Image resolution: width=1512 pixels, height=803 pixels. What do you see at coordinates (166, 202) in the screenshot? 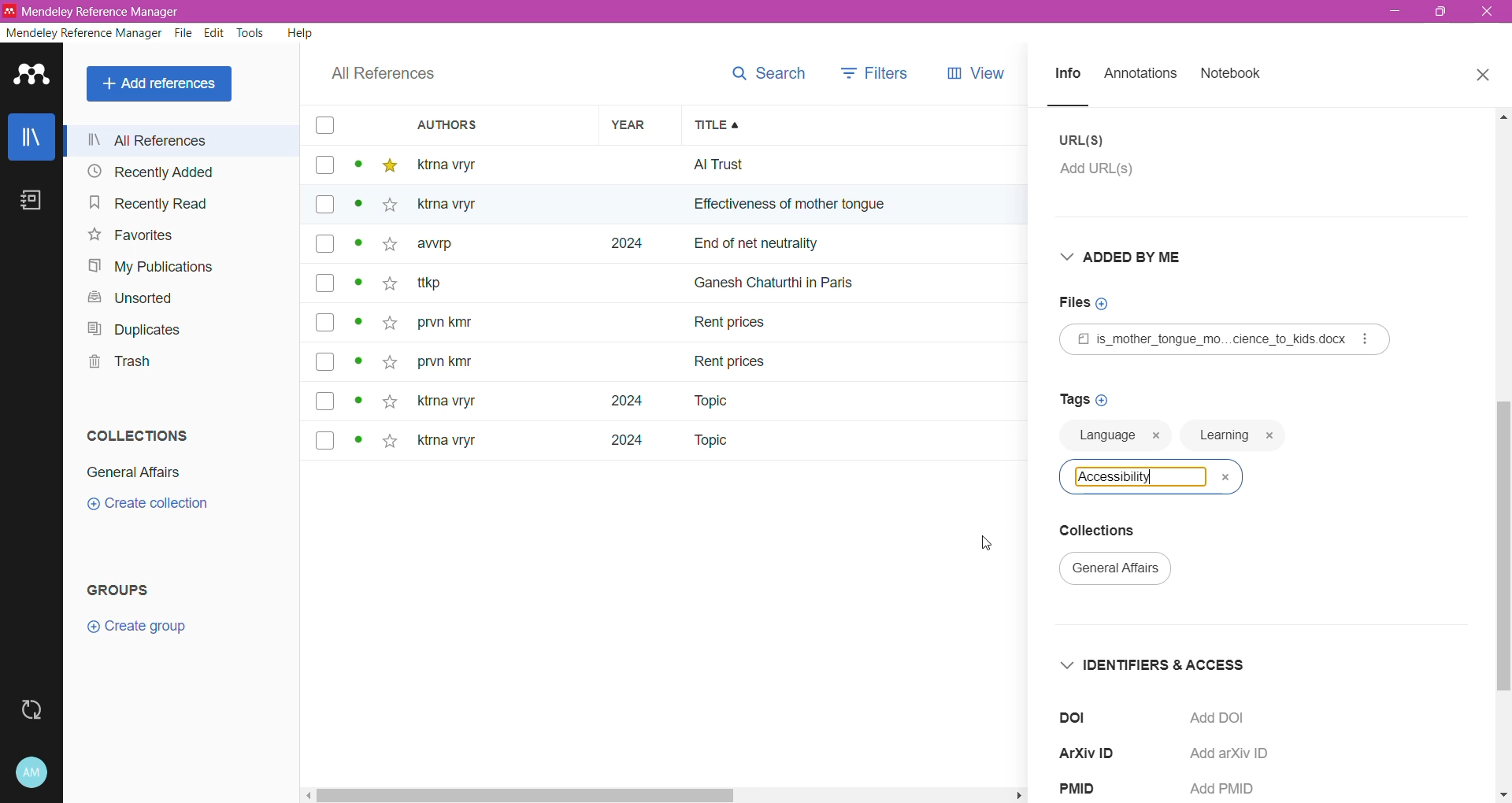
I see `Recently Read` at bounding box center [166, 202].